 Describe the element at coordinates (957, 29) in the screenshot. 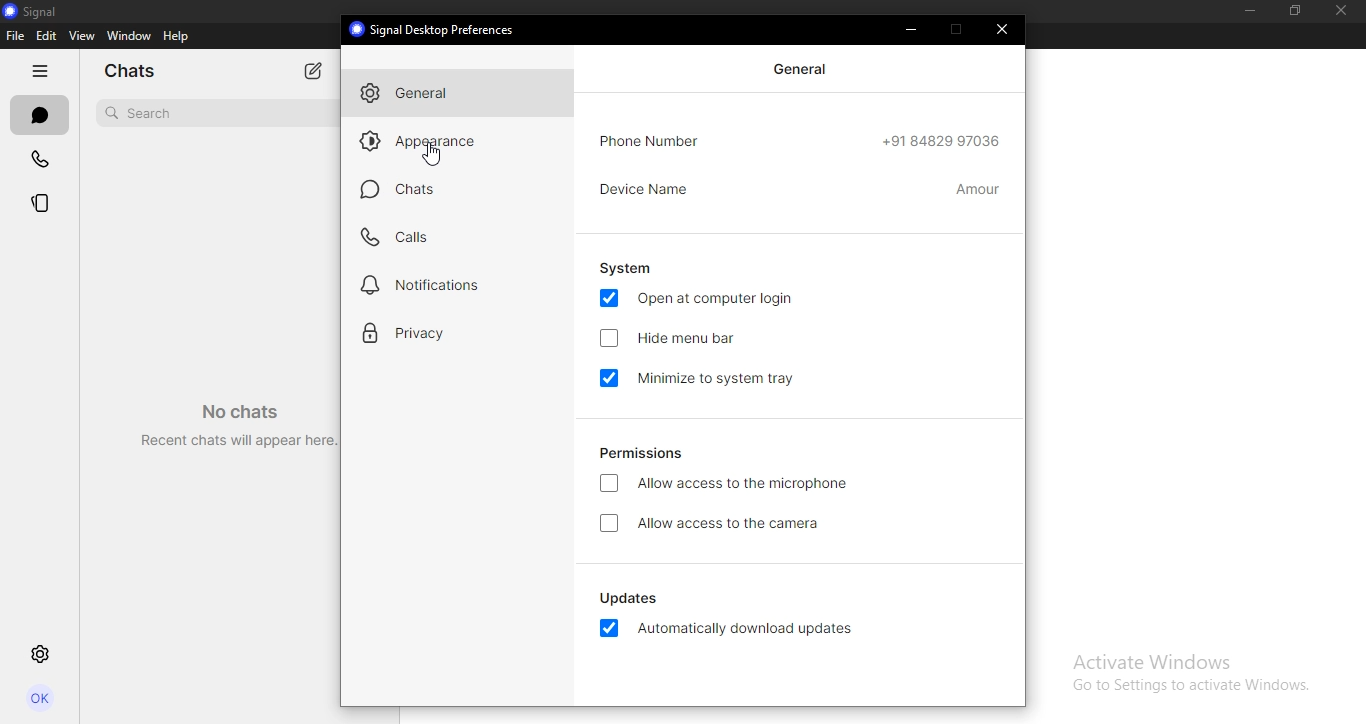

I see `restore down` at that location.